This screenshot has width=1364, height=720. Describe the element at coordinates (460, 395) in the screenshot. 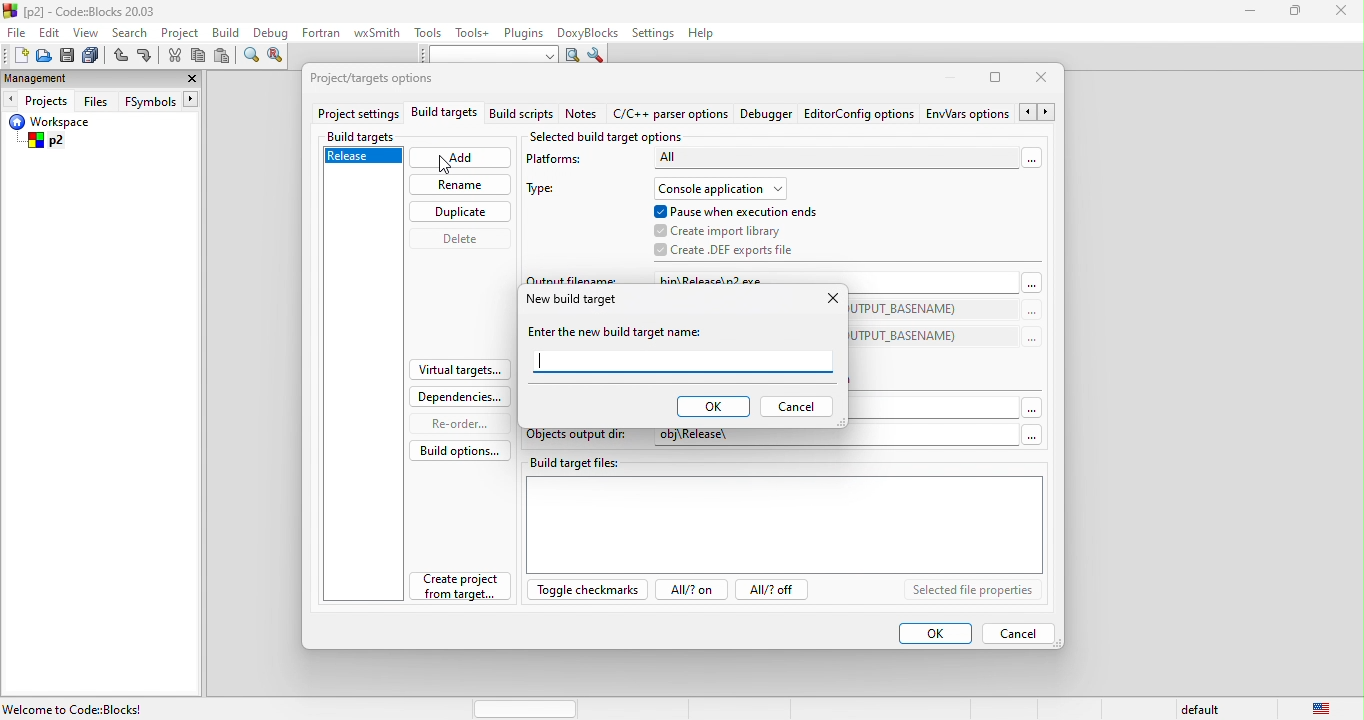

I see `dependencies` at that location.